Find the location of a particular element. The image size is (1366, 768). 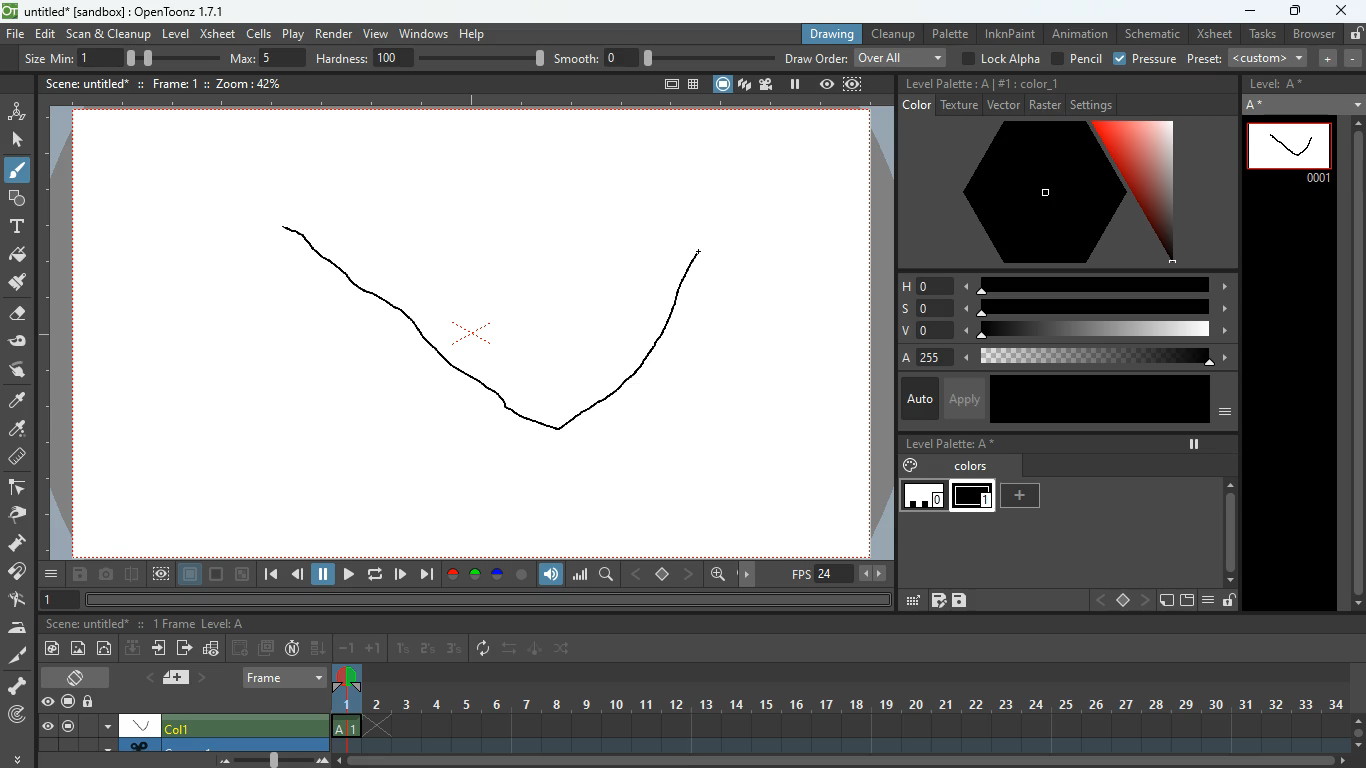

red is located at coordinates (452, 575).